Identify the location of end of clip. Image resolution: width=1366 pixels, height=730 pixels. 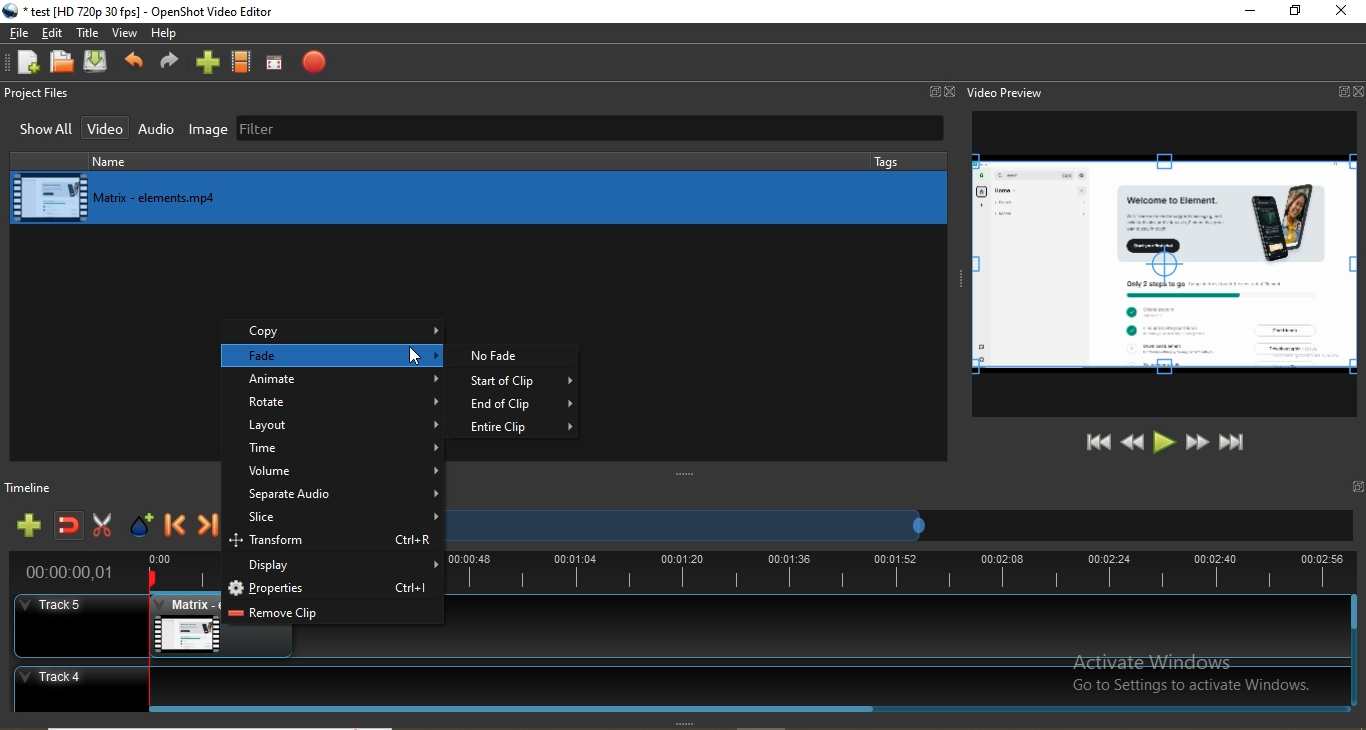
(524, 406).